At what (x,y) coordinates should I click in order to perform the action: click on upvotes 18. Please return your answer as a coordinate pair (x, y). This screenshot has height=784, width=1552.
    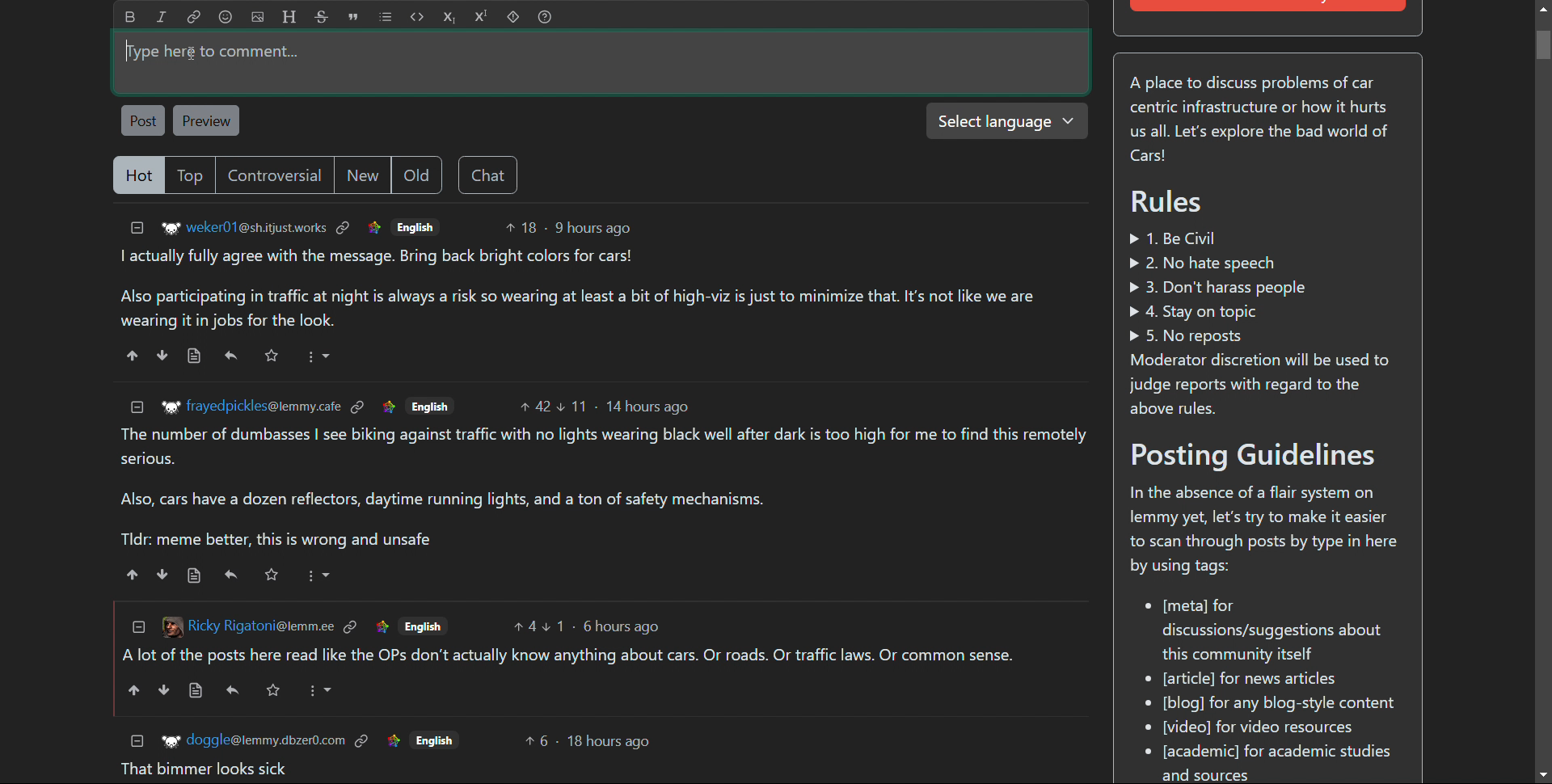
    Looking at the image, I should click on (521, 227).